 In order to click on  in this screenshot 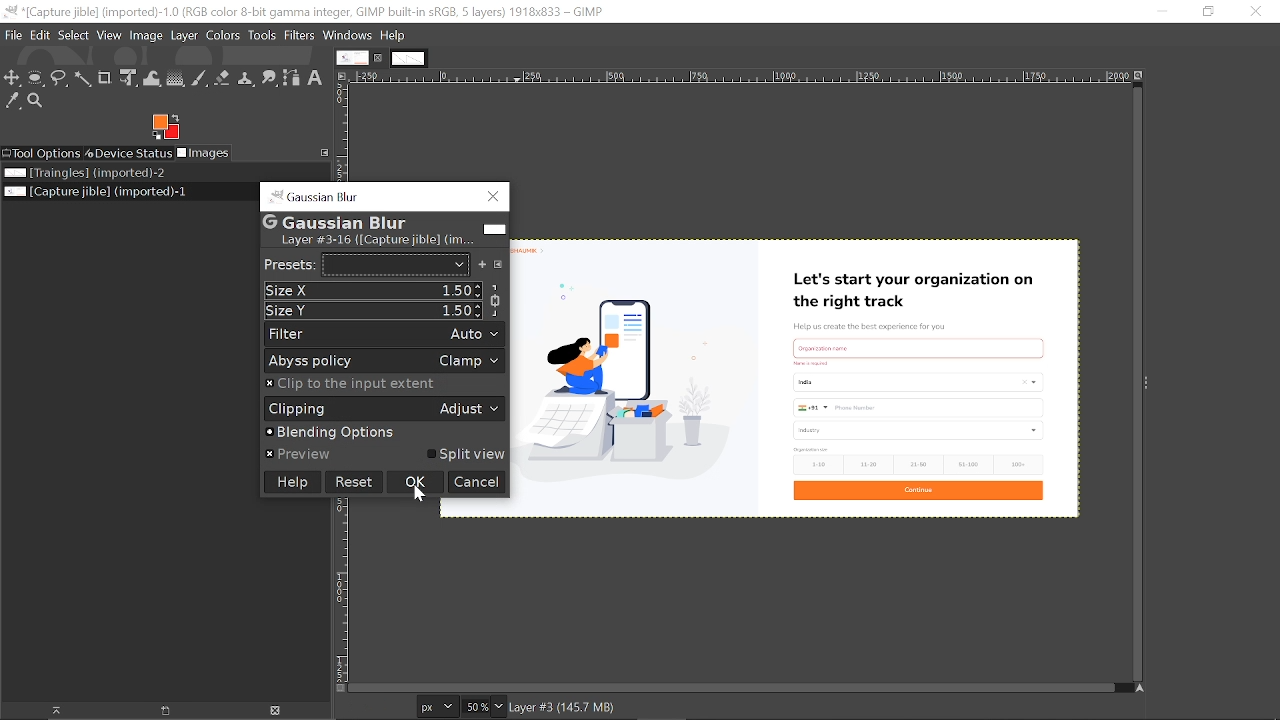, I will do `click(275, 196)`.